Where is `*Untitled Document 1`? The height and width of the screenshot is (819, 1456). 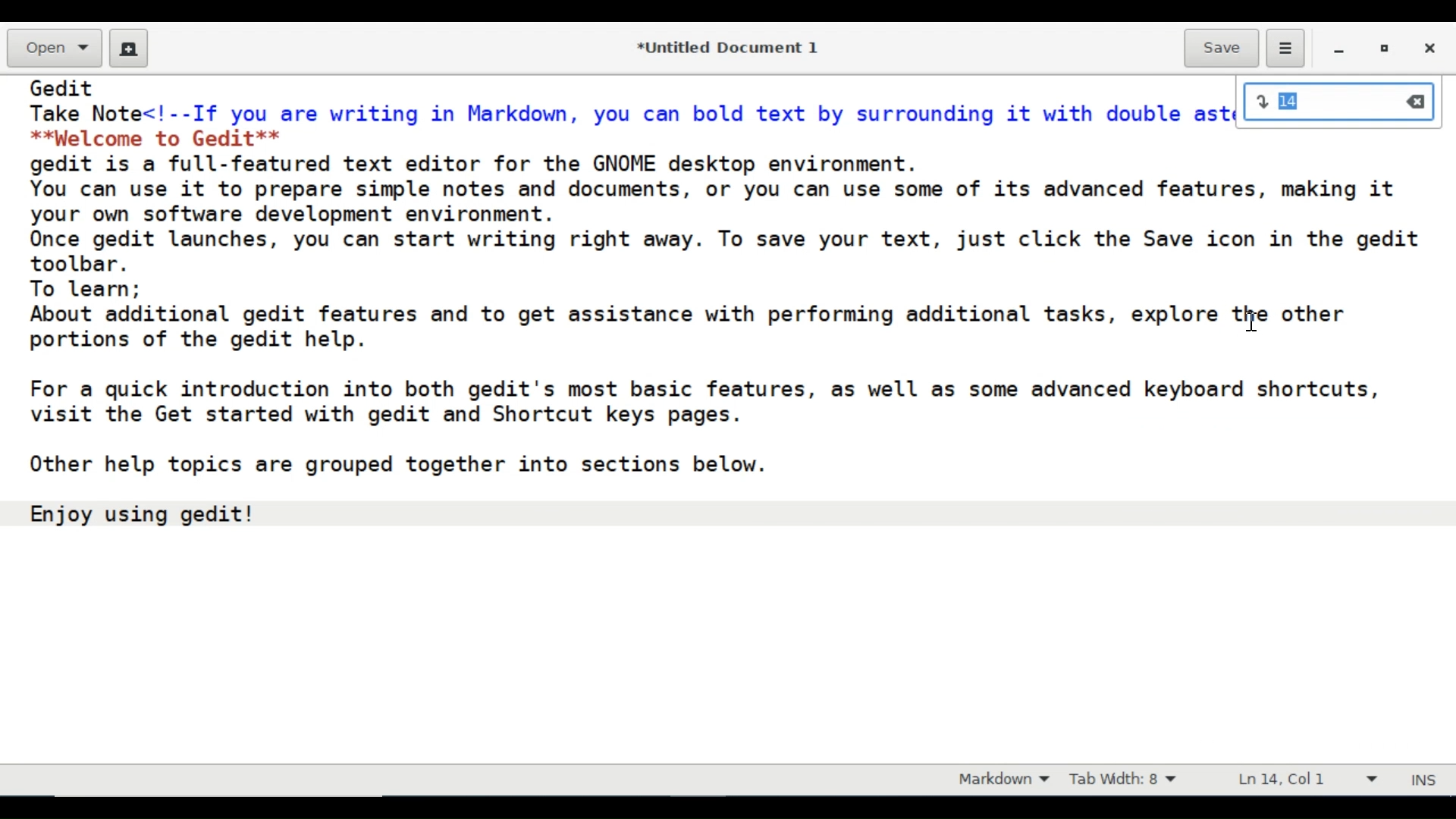
*Untitled Document 1 is located at coordinates (730, 49).